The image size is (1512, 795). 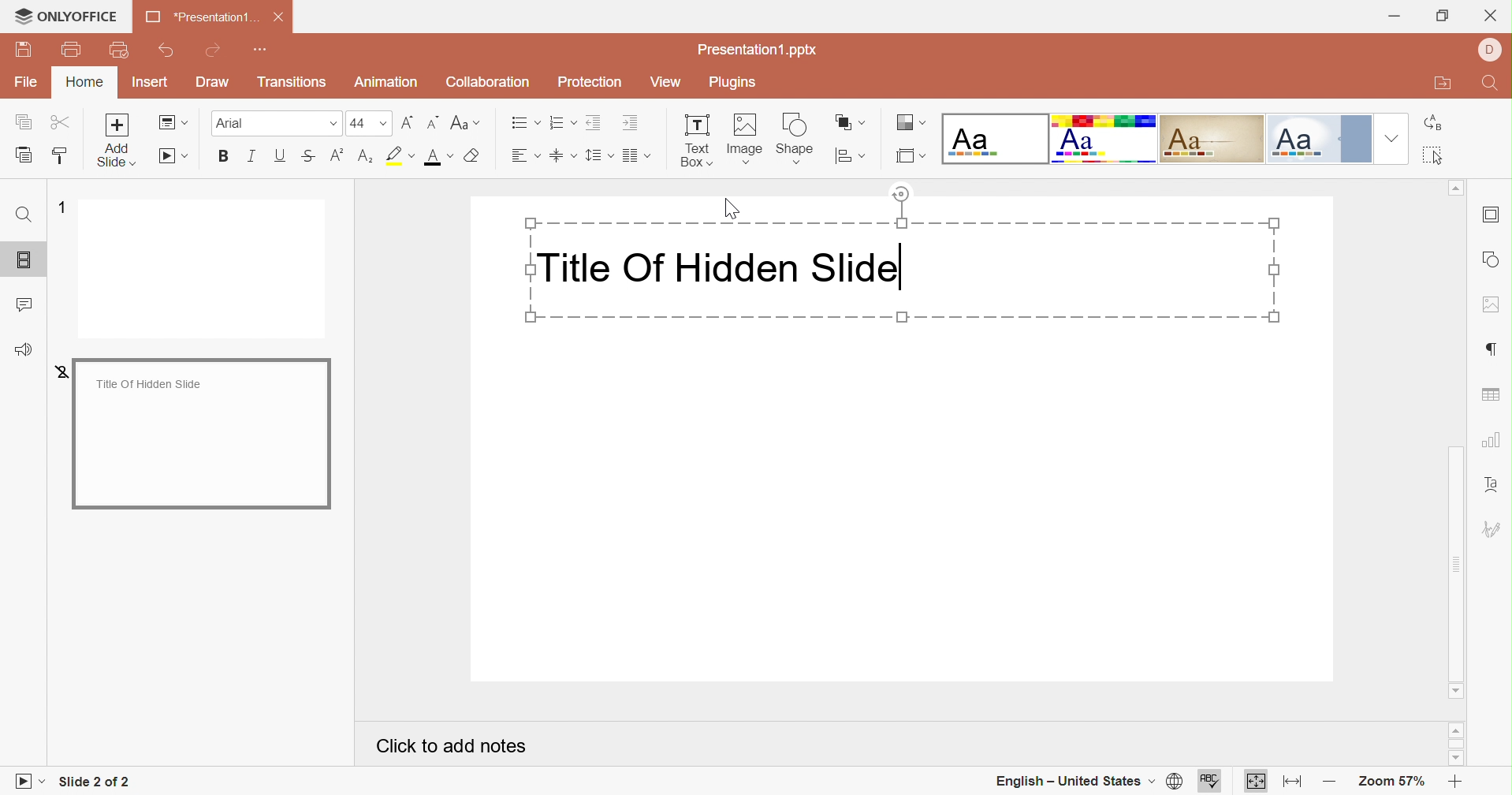 What do you see at coordinates (851, 158) in the screenshot?
I see `Align shape` at bounding box center [851, 158].